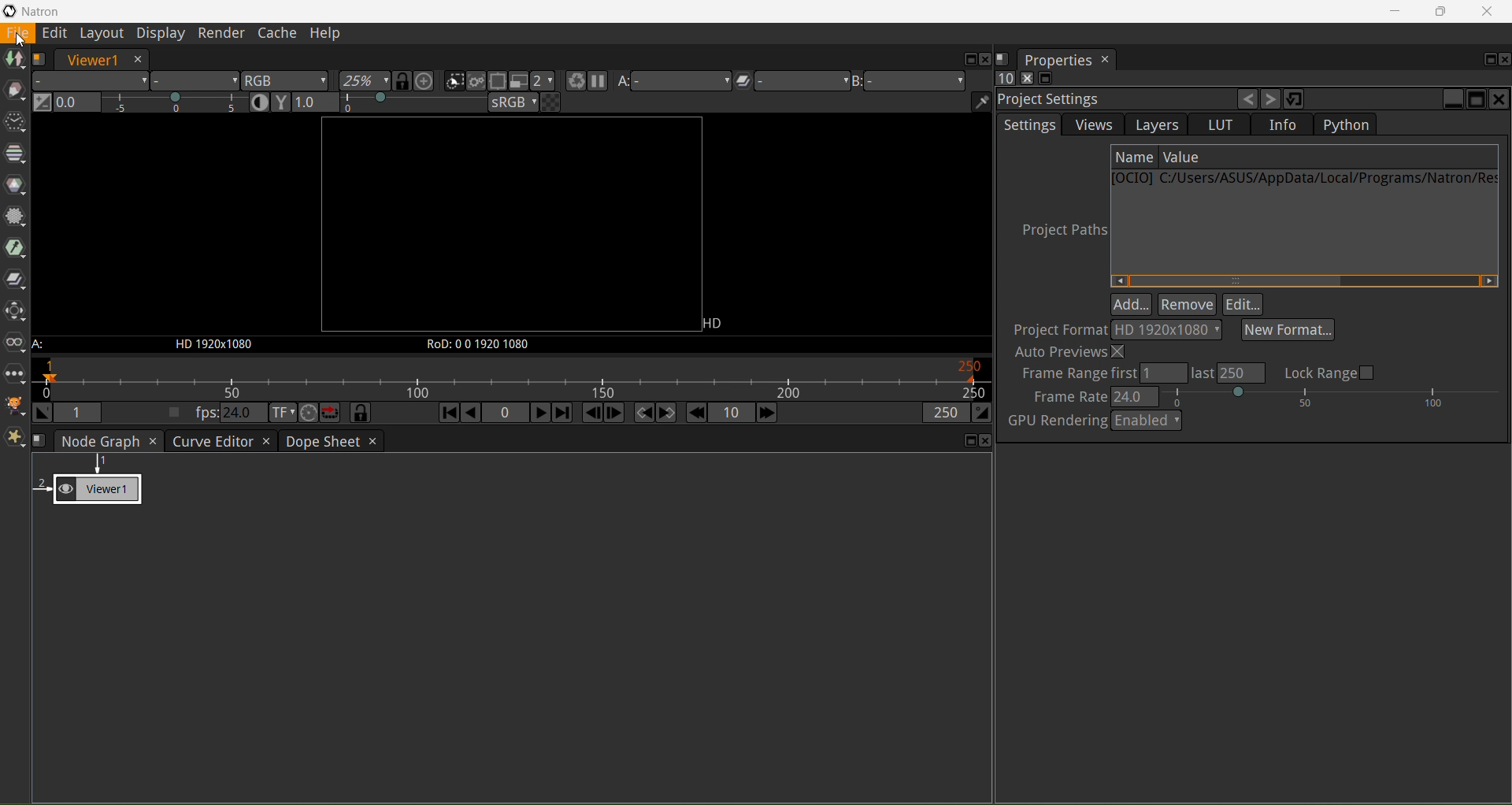  Describe the element at coordinates (1068, 352) in the screenshot. I see `Auto Previews - enable/disable` at that location.